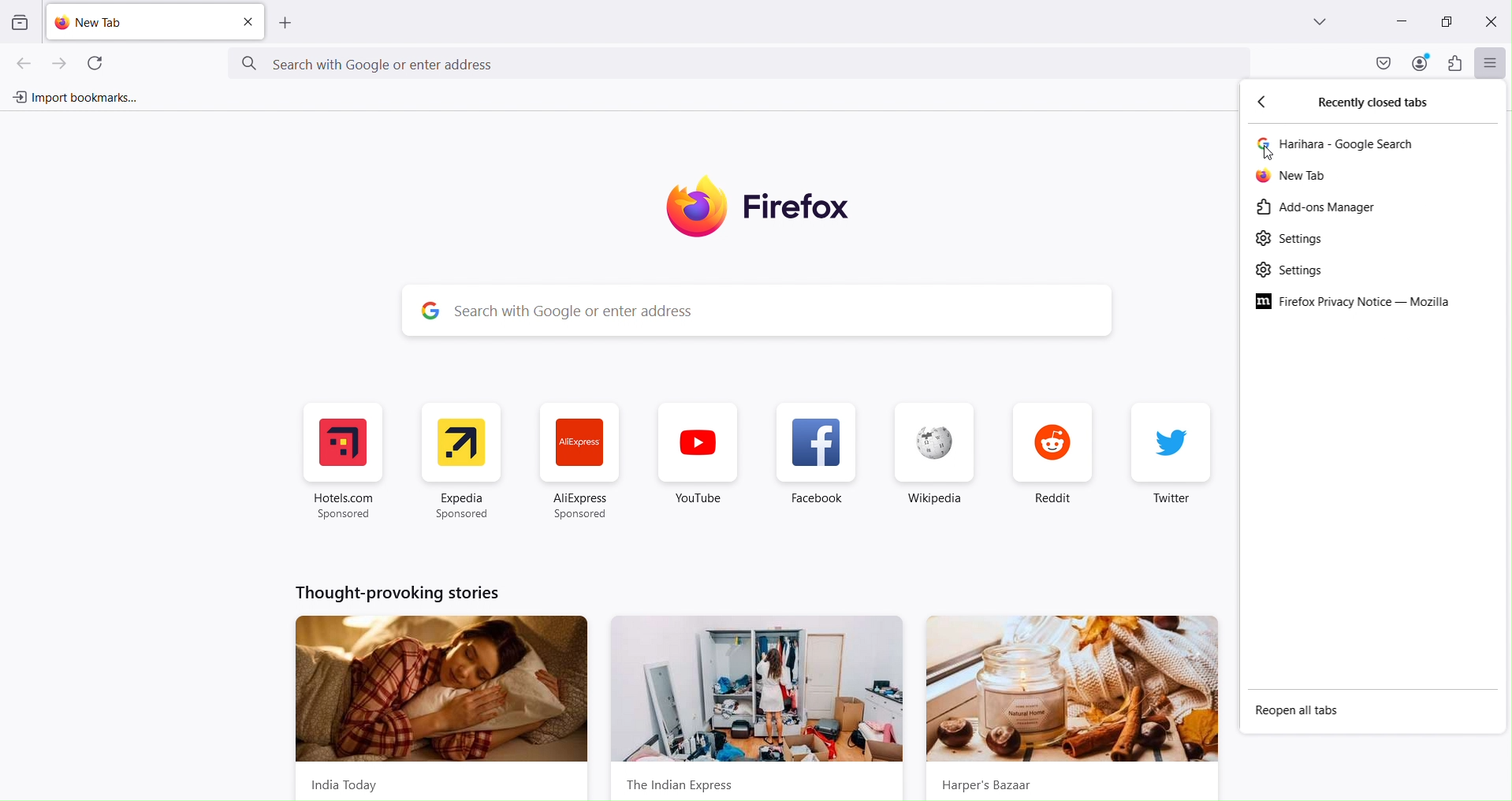 The width and height of the screenshot is (1512, 801). Describe the element at coordinates (73, 98) in the screenshot. I see `Import bookmarks` at that location.